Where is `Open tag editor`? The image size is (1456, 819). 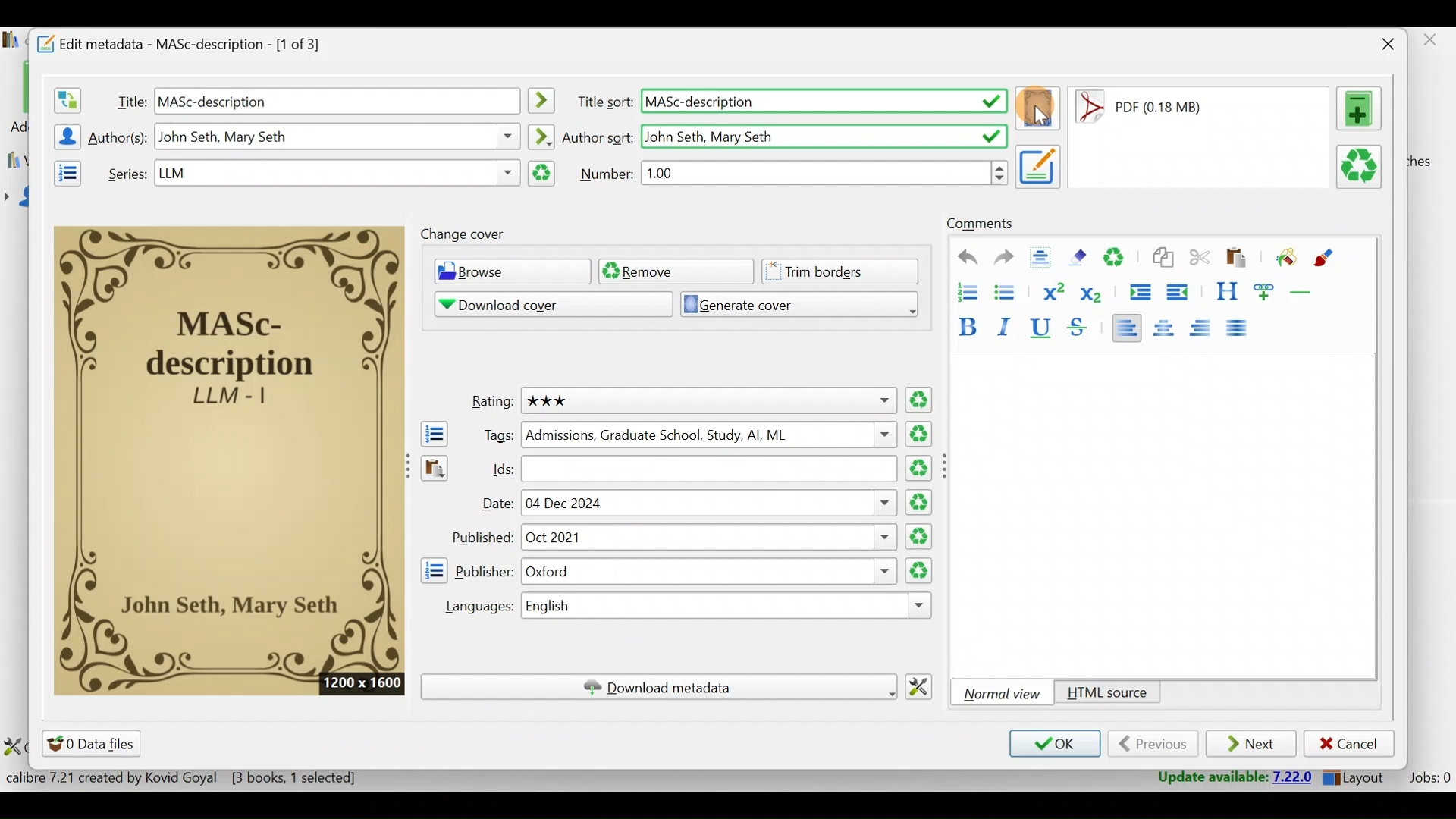
Open tag editor is located at coordinates (431, 434).